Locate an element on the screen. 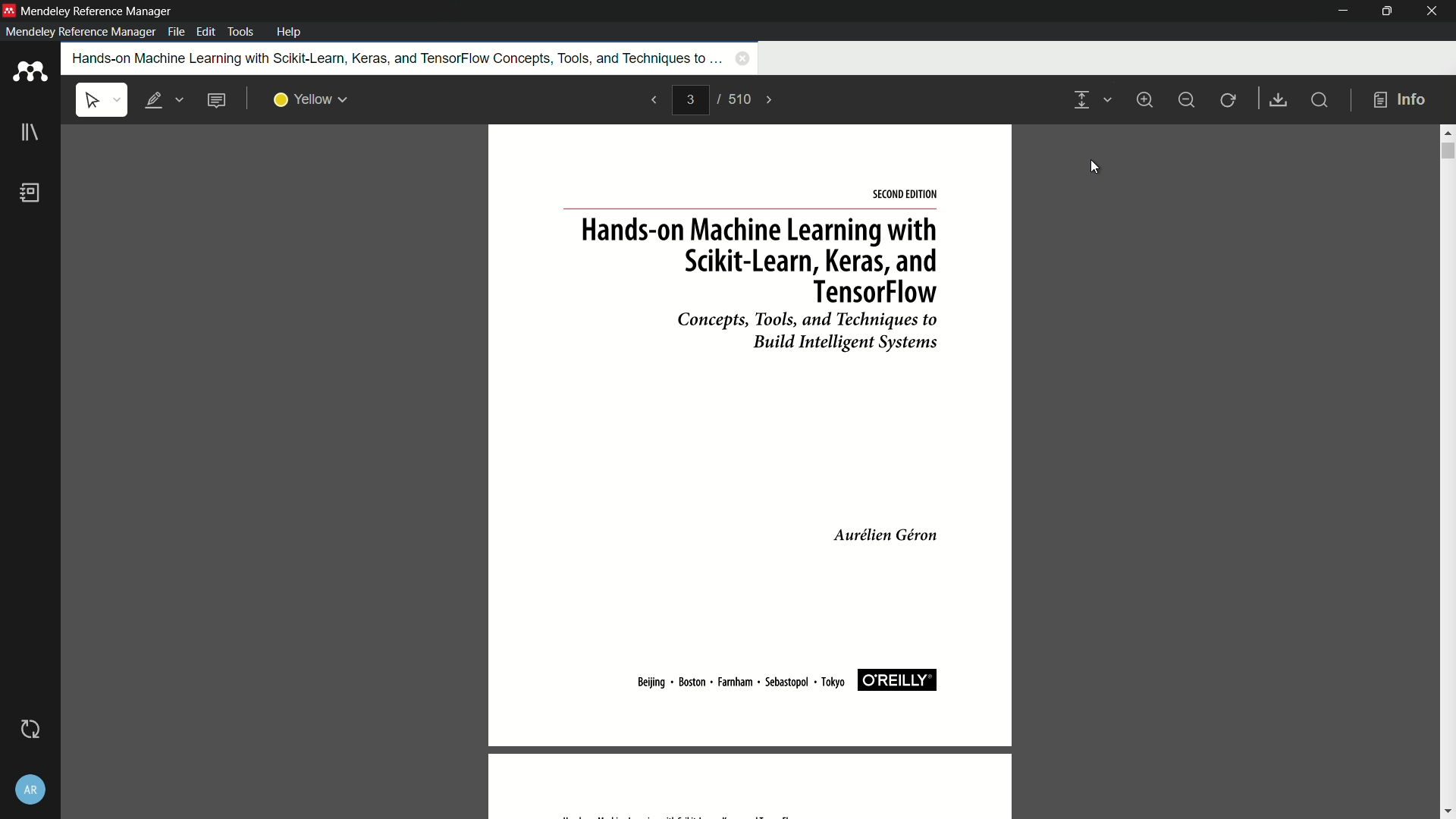  view mode dropdown is located at coordinates (1107, 99).